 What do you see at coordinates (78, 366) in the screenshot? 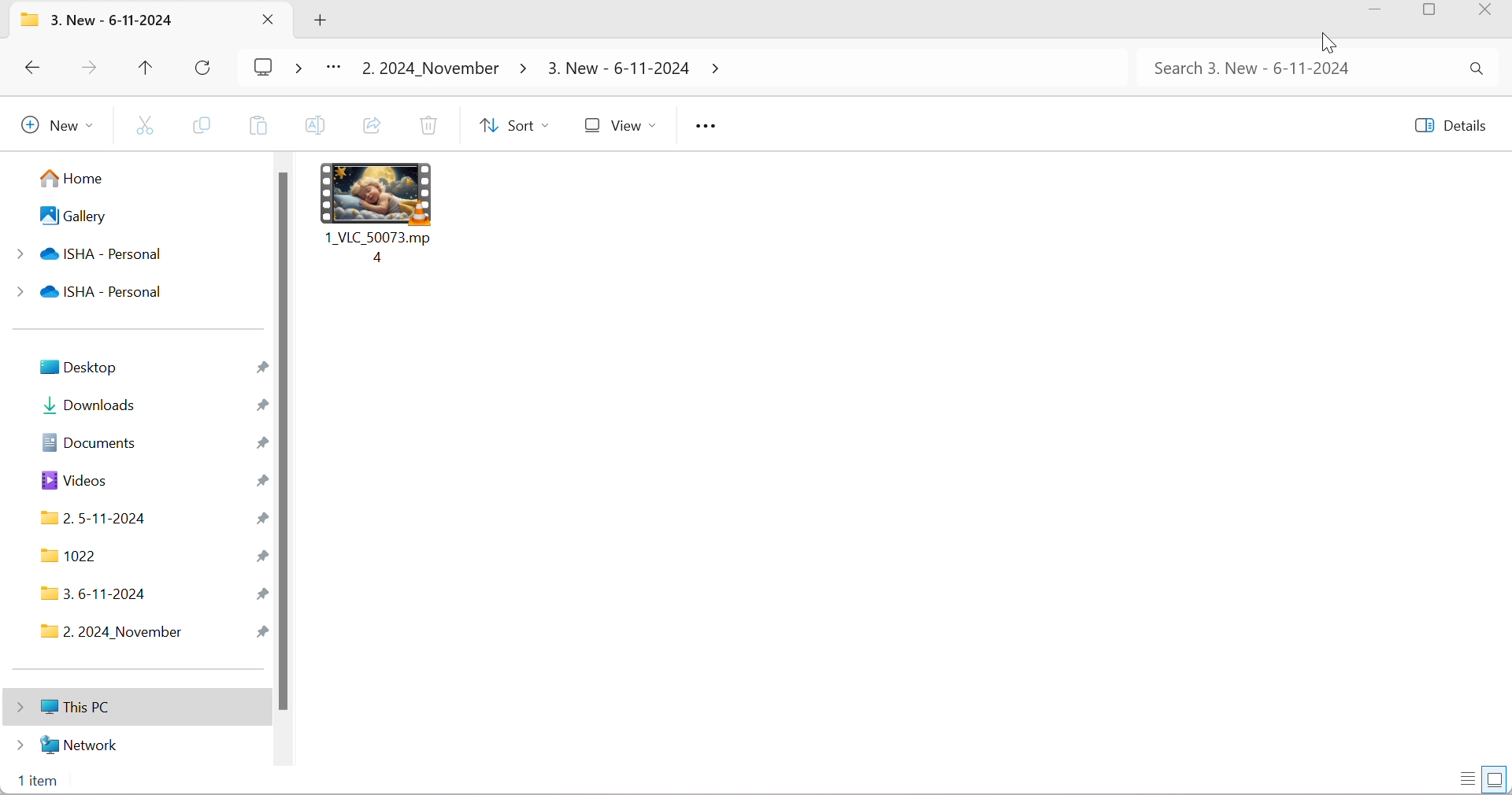
I see `Desktop` at bounding box center [78, 366].